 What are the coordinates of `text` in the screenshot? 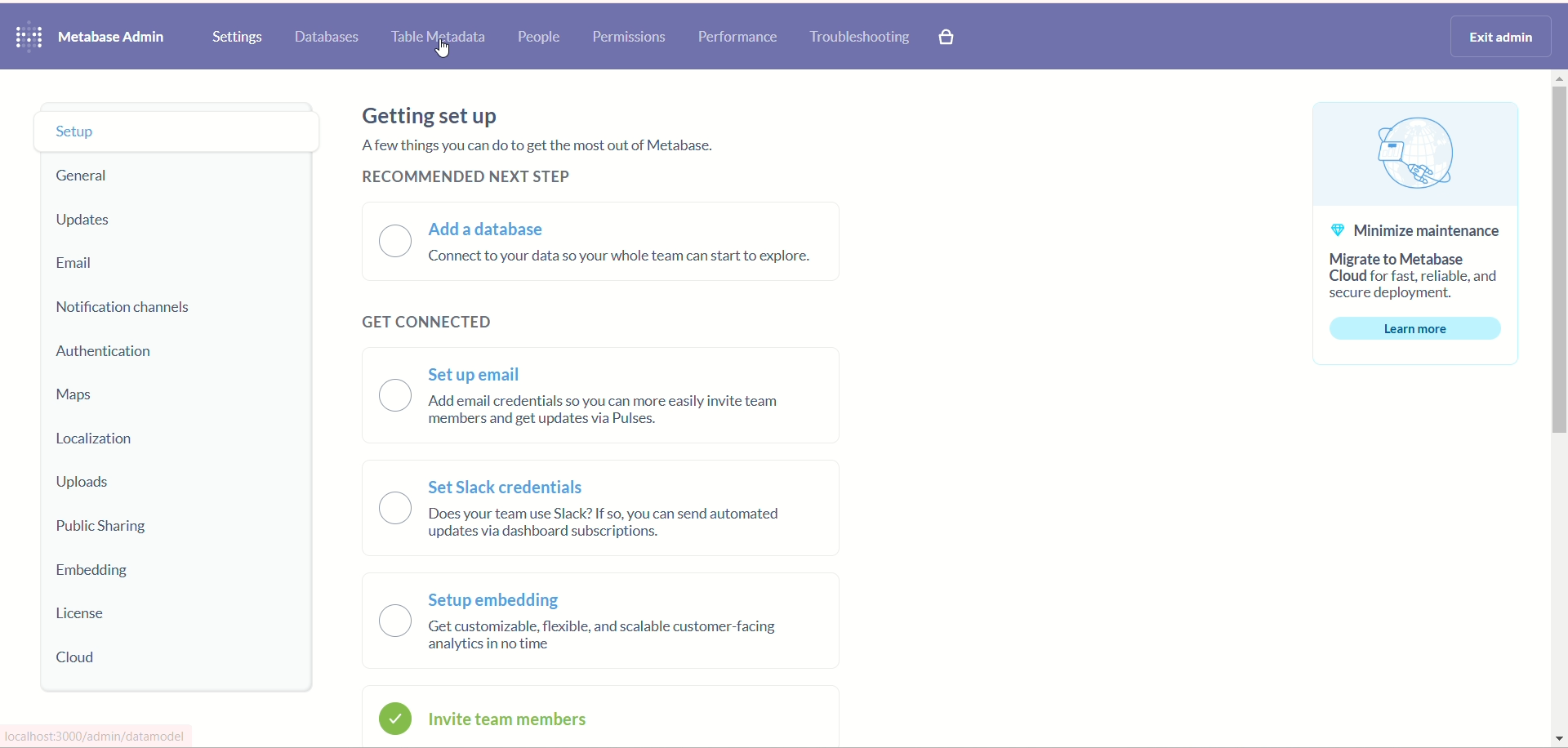 It's located at (630, 259).